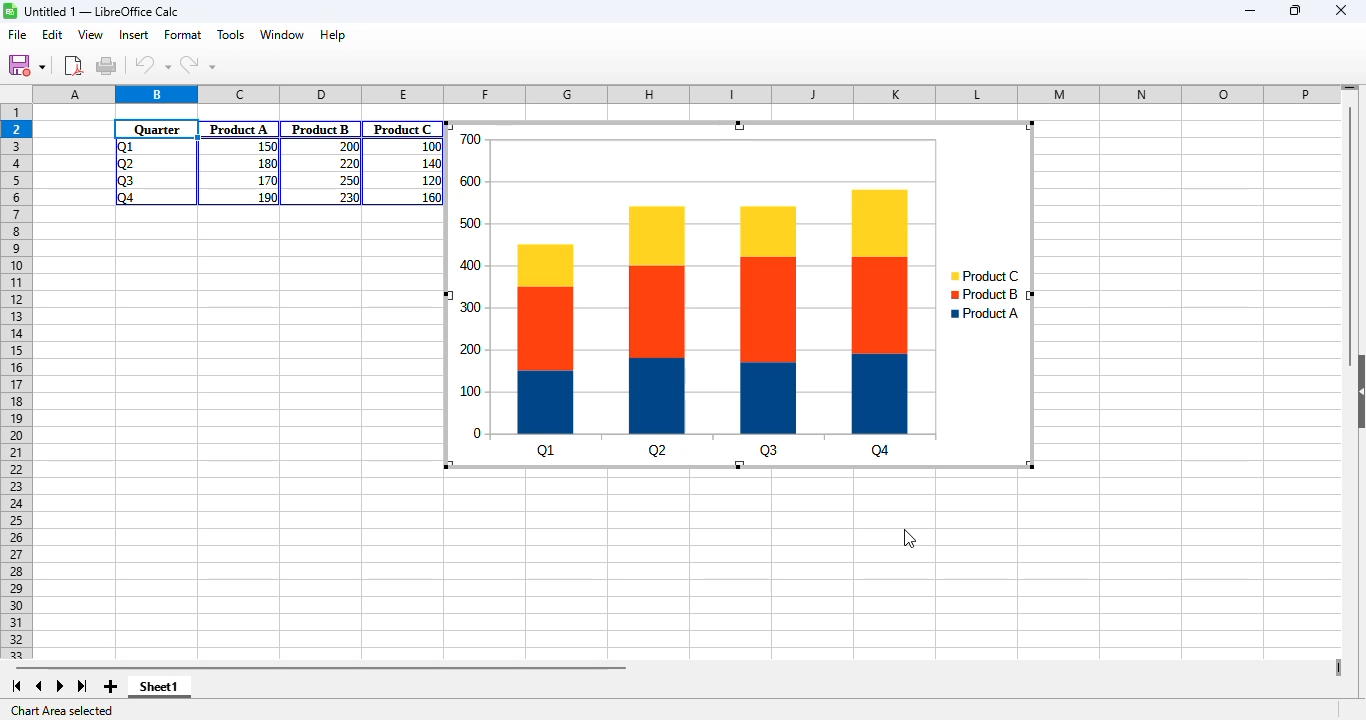 Image resolution: width=1366 pixels, height=720 pixels. Describe the element at coordinates (197, 65) in the screenshot. I see `redo` at that location.